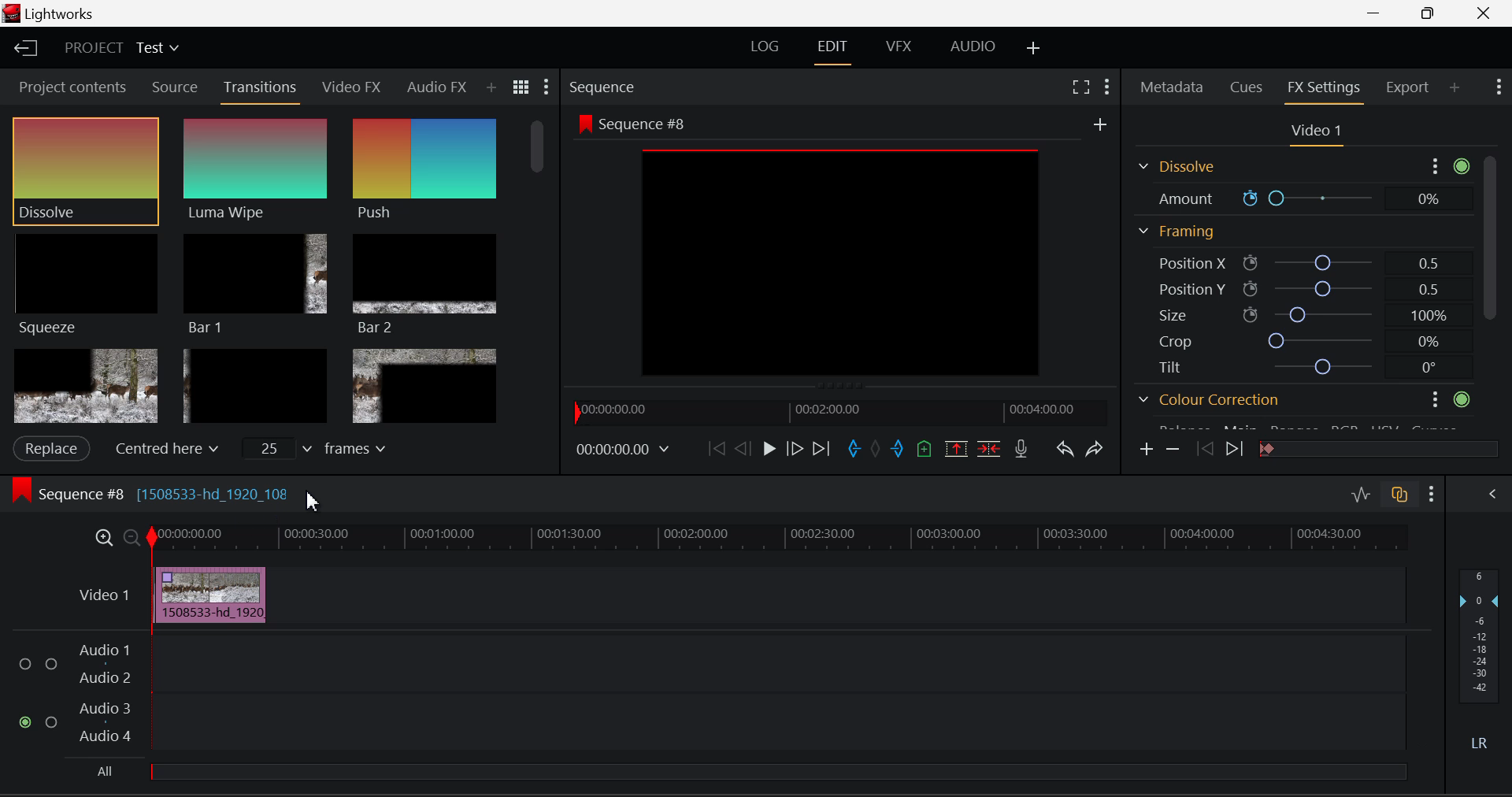  Describe the element at coordinates (632, 122) in the screenshot. I see `Sequence #8` at that location.